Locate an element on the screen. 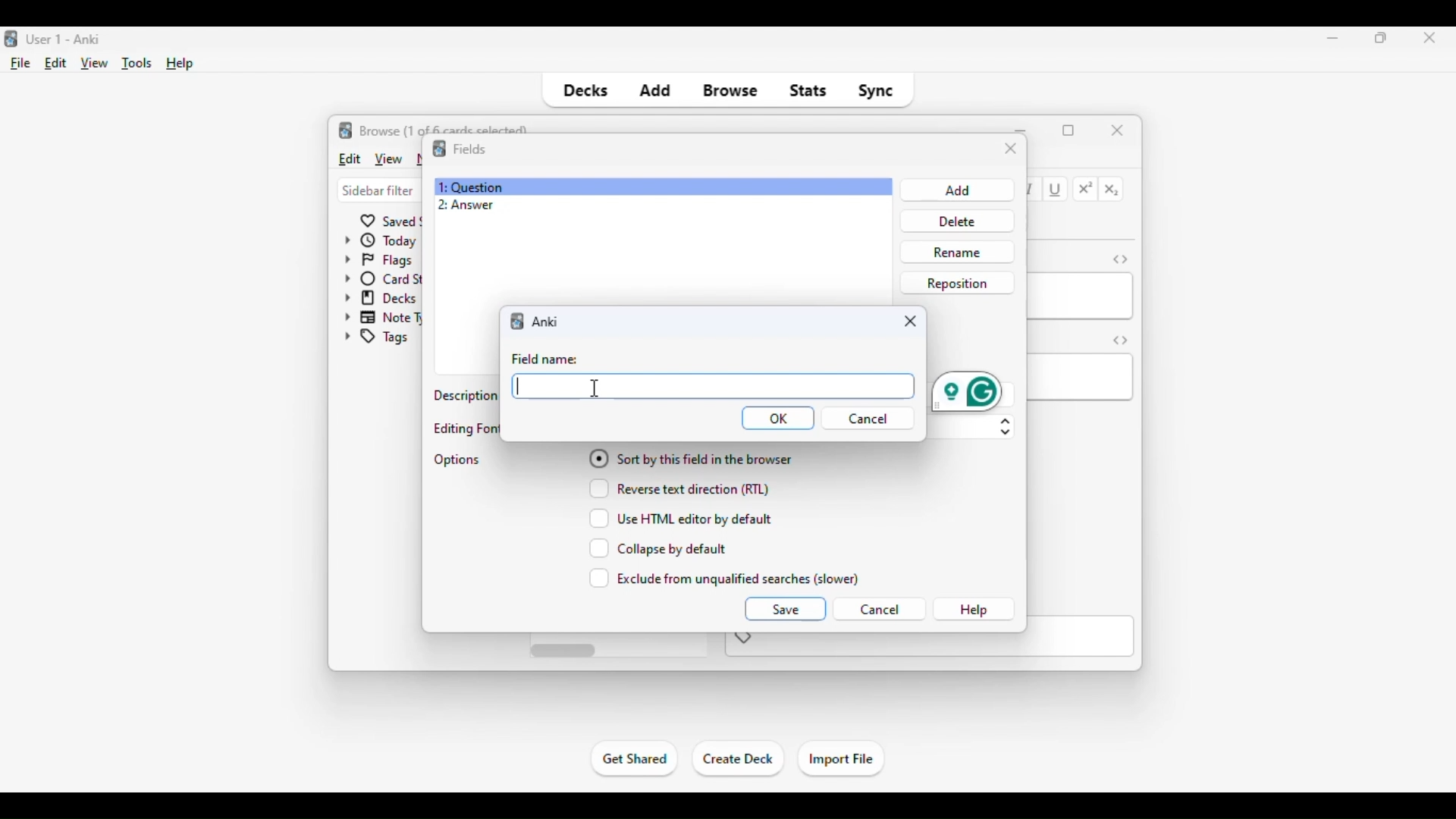 Image resolution: width=1456 pixels, height=819 pixels. subscript is located at coordinates (1112, 190).